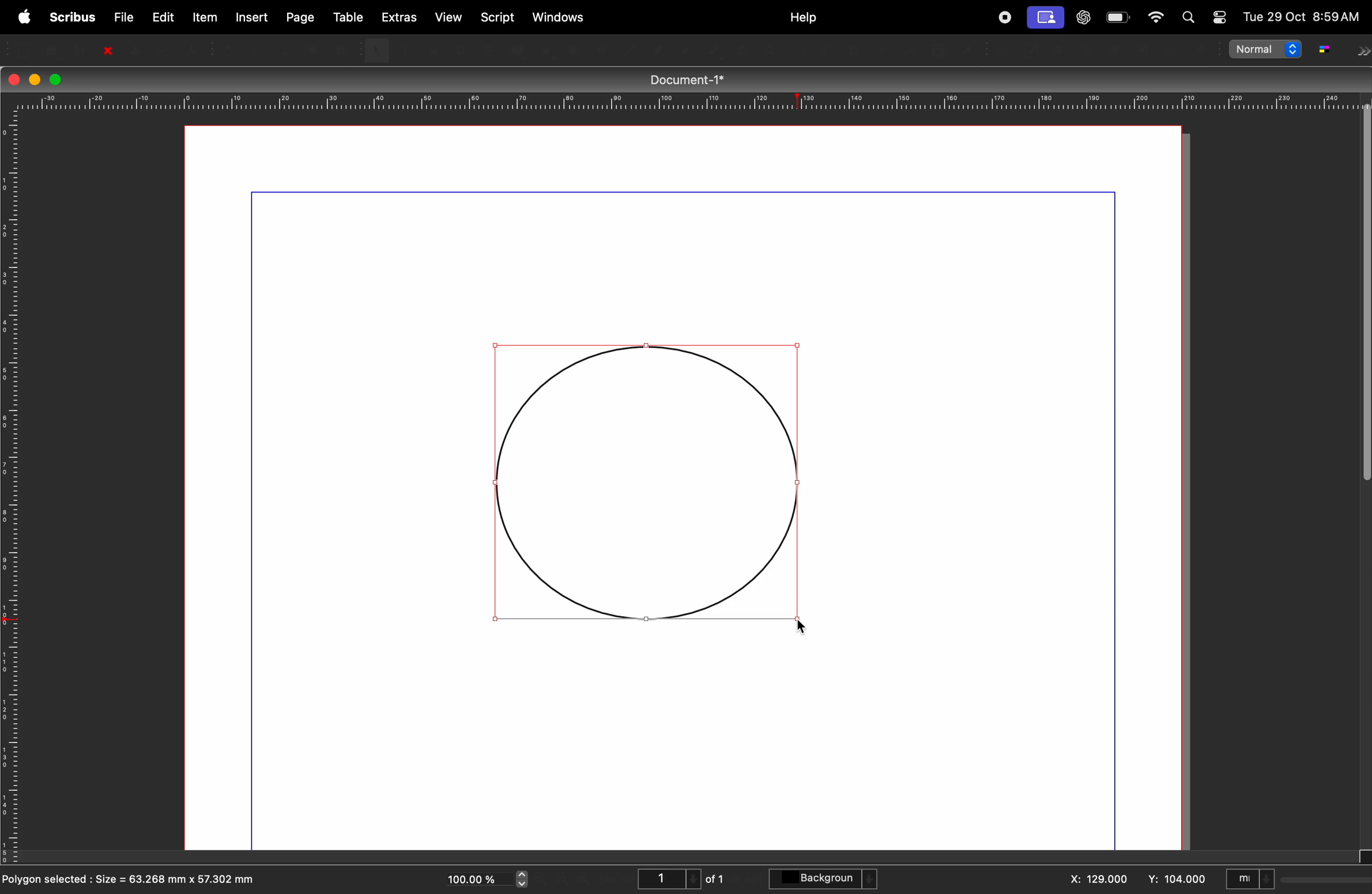 This screenshot has height=894, width=1372. What do you see at coordinates (523, 880) in the screenshot?
I see `zoom in and out` at bounding box center [523, 880].